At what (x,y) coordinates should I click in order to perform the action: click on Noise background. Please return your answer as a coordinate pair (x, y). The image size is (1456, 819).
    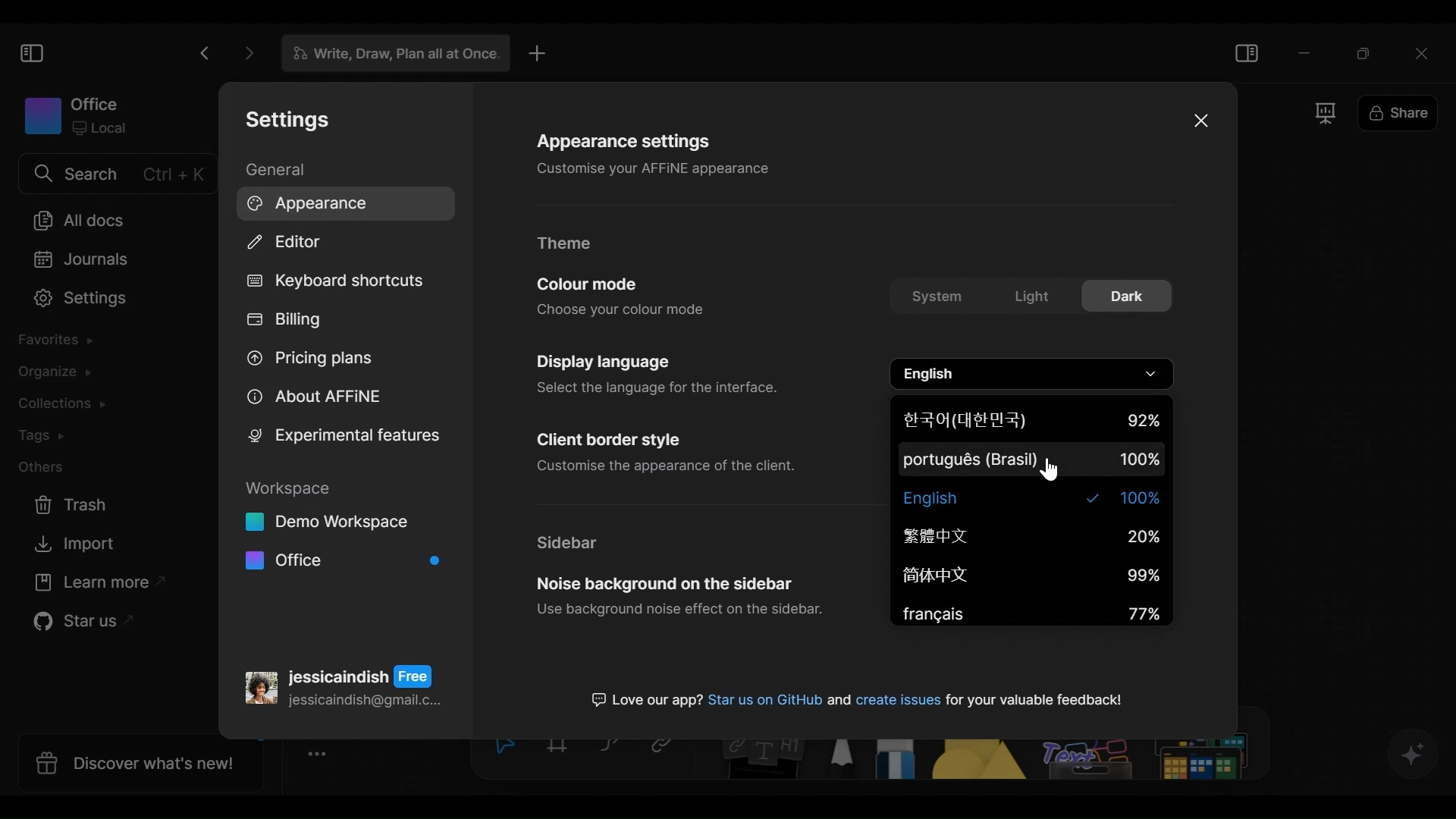
    Looking at the image, I should click on (679, 599).